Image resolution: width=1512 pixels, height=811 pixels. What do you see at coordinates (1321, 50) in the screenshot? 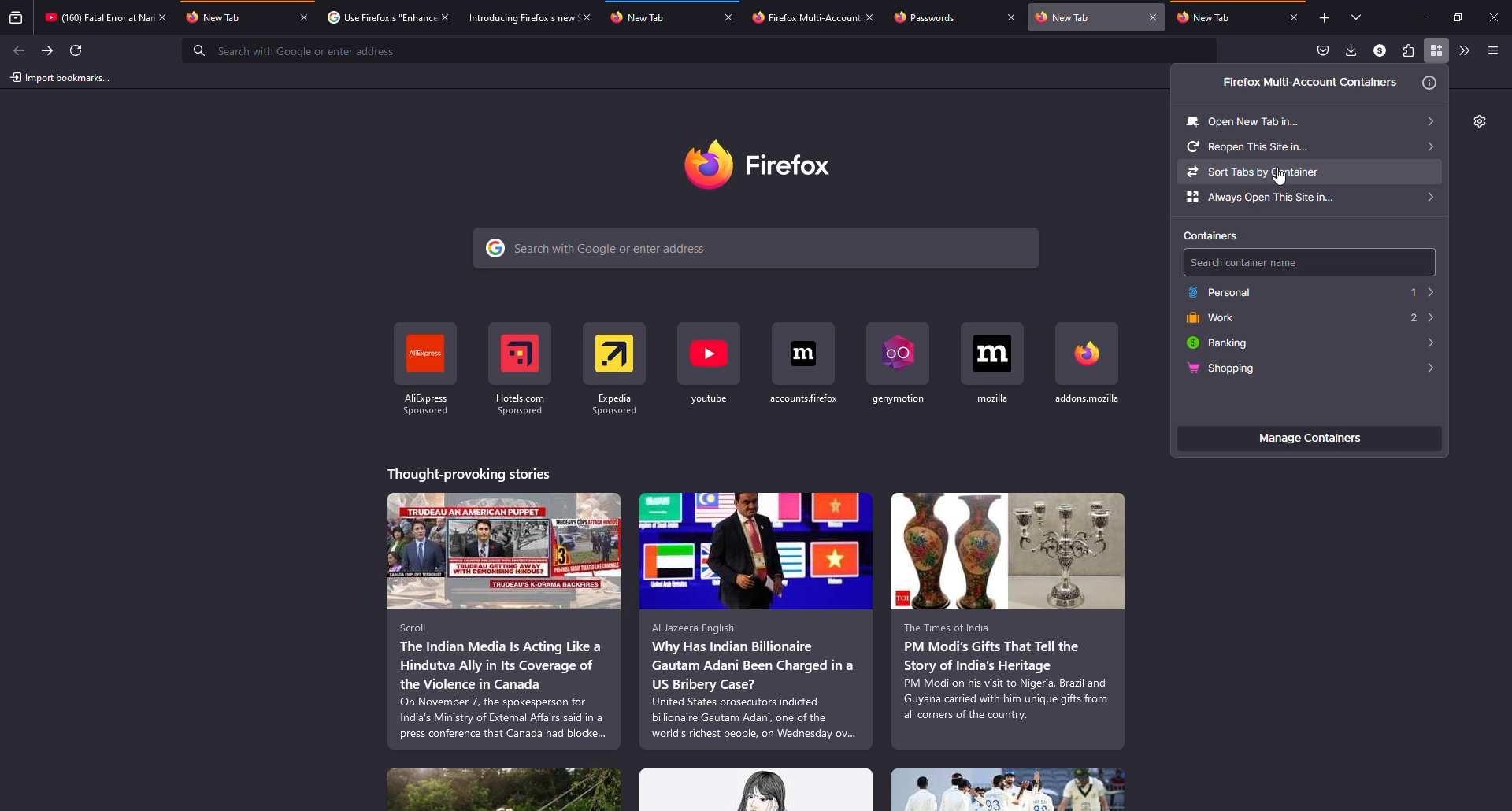
I see `save to packet` at bounding box center [1321, 50].